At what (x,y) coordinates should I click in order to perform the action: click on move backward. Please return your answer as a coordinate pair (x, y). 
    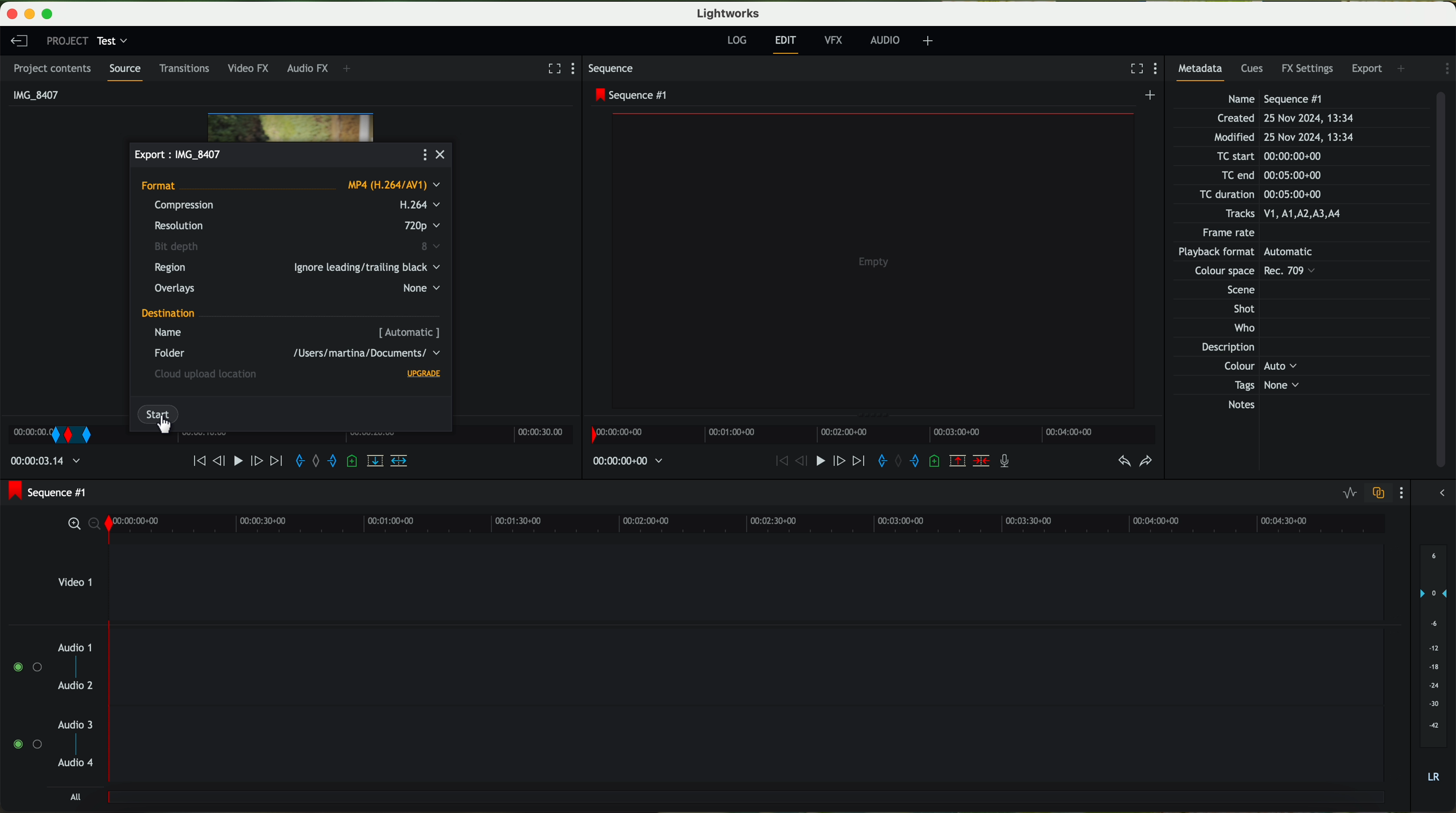
    Looking at the image, I should click on (193, 461).